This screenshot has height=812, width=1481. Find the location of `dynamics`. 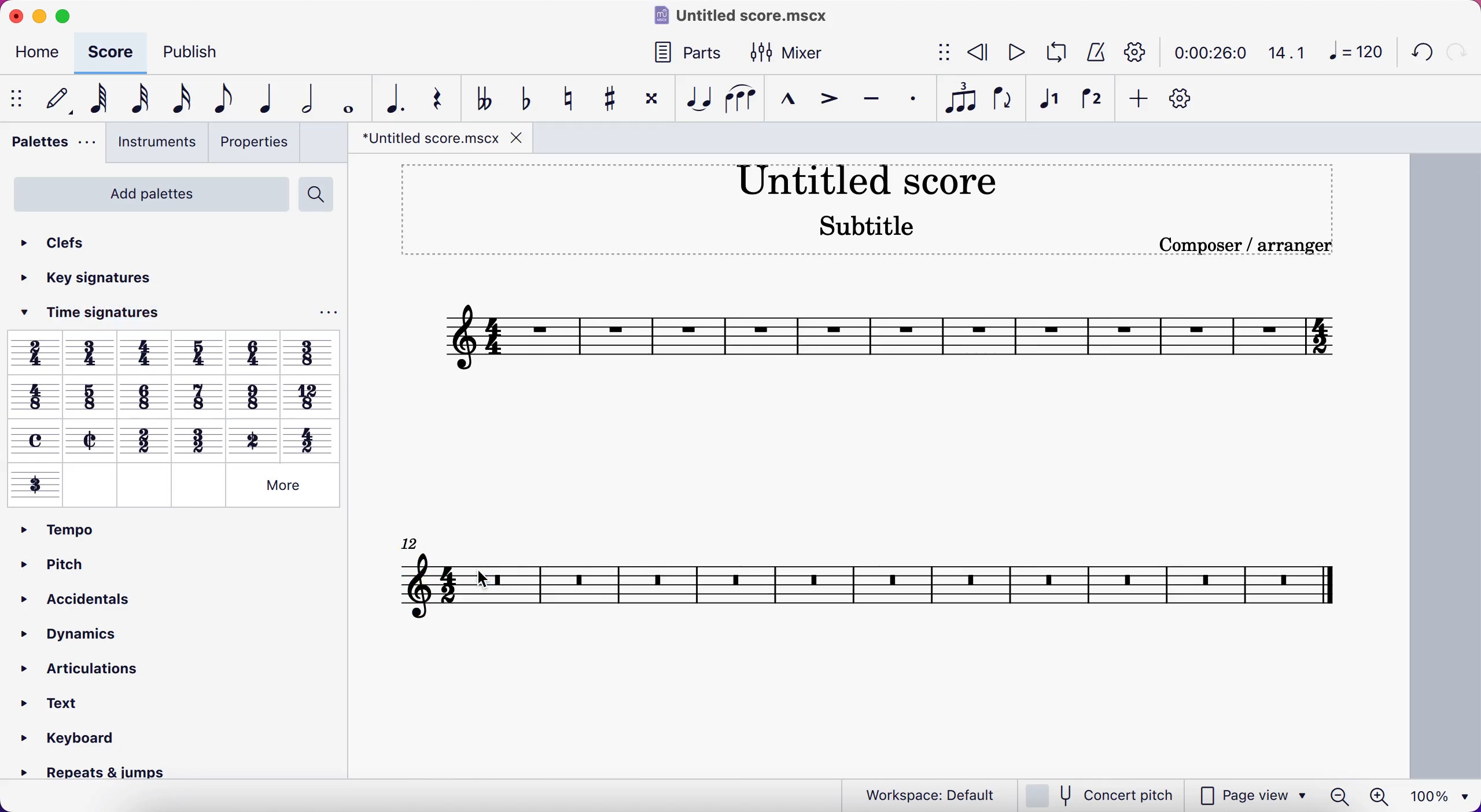

dynamics is located at coordinates (83, 630).